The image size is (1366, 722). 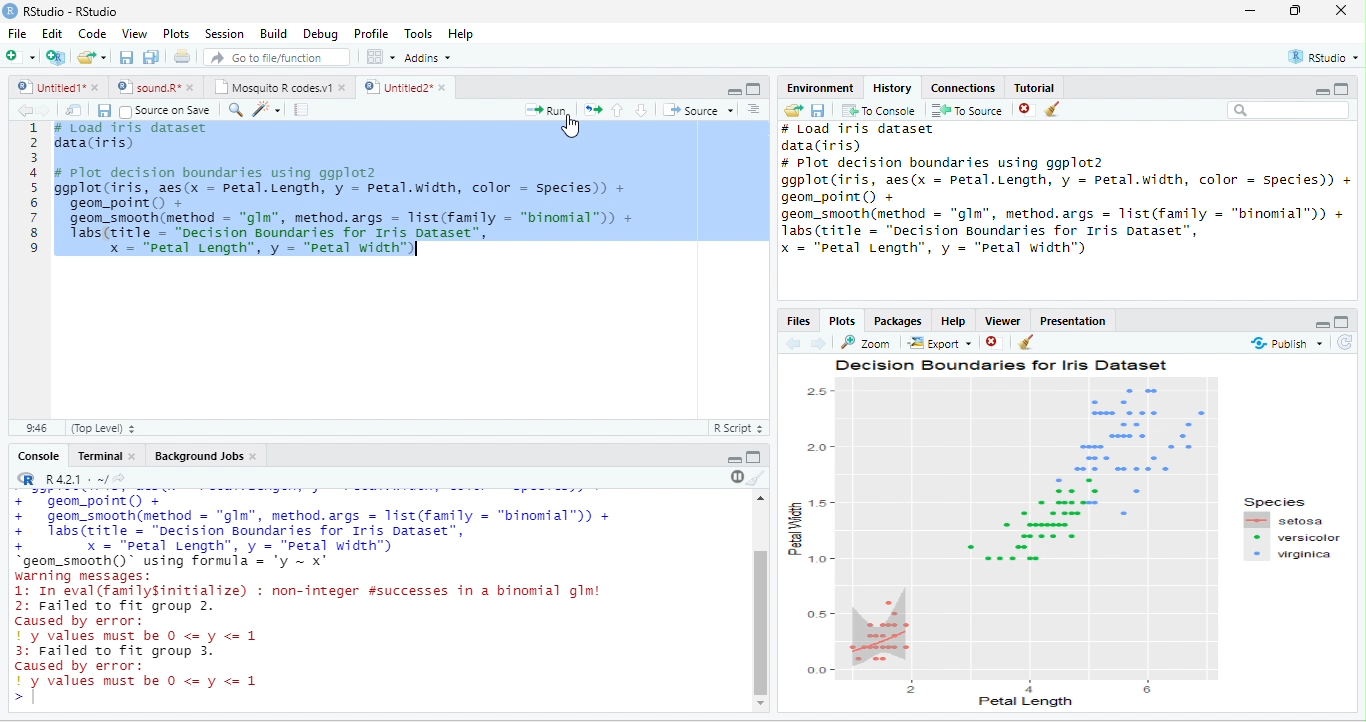 What do you see at coordinates (821, 87) in the screenshot?
I see `Environment` at bounding box center [821, 87].